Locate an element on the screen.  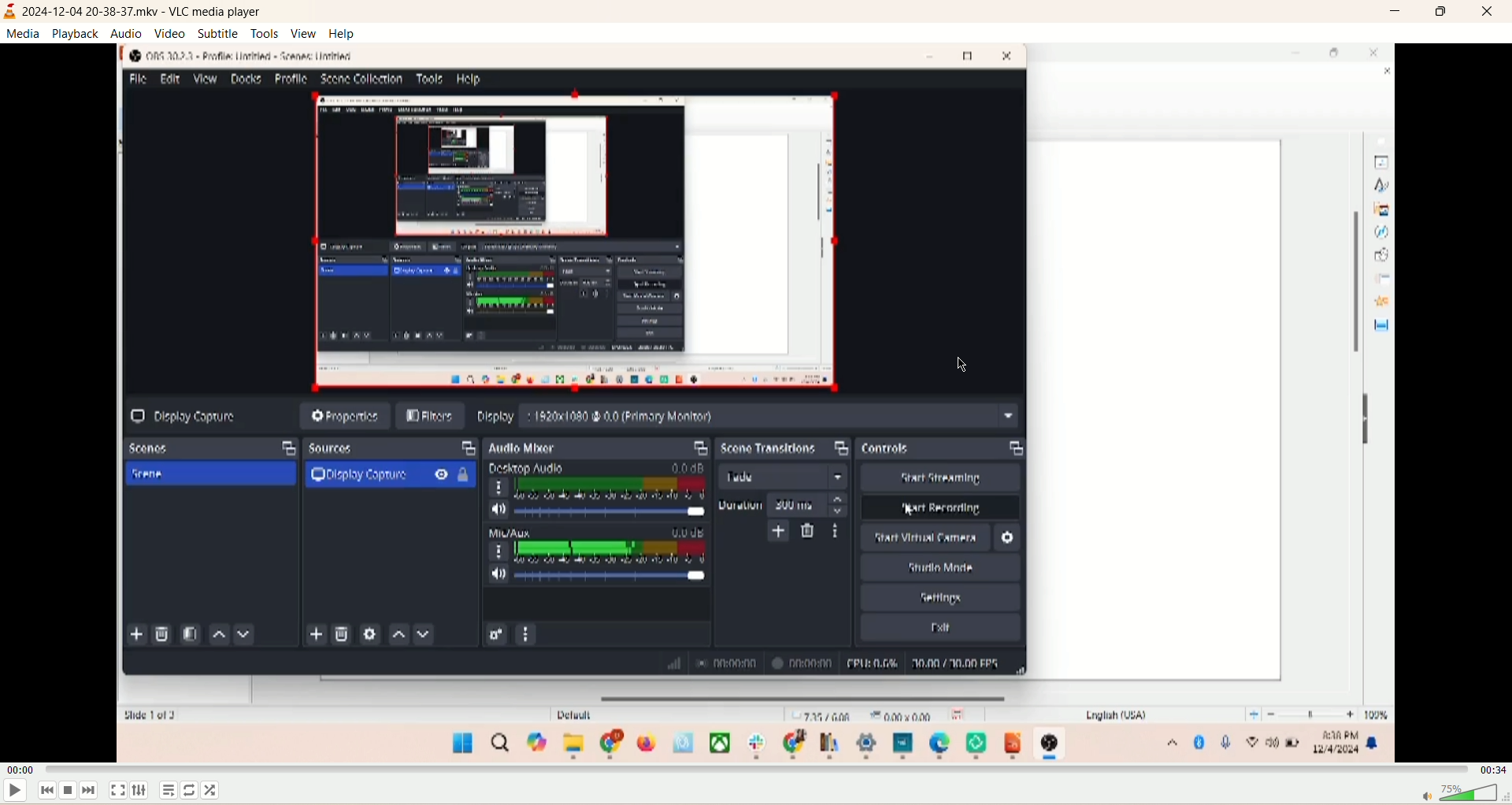
2024-12-04 20-38-37.mkv - VLC media player is located at coordinates (147, 12).